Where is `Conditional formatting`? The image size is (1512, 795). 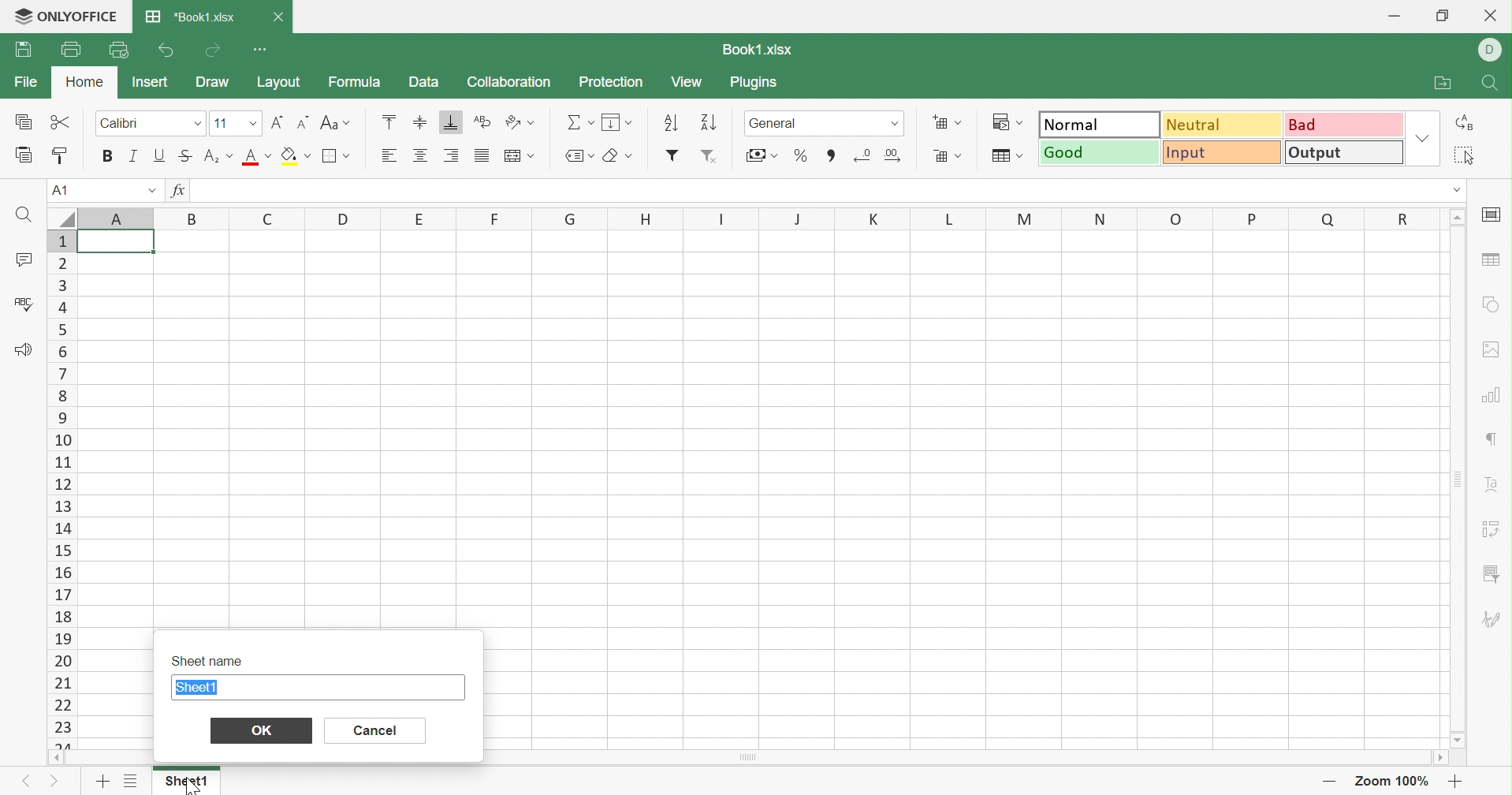
Conditional formatting is located at coordinates (1006, 121).